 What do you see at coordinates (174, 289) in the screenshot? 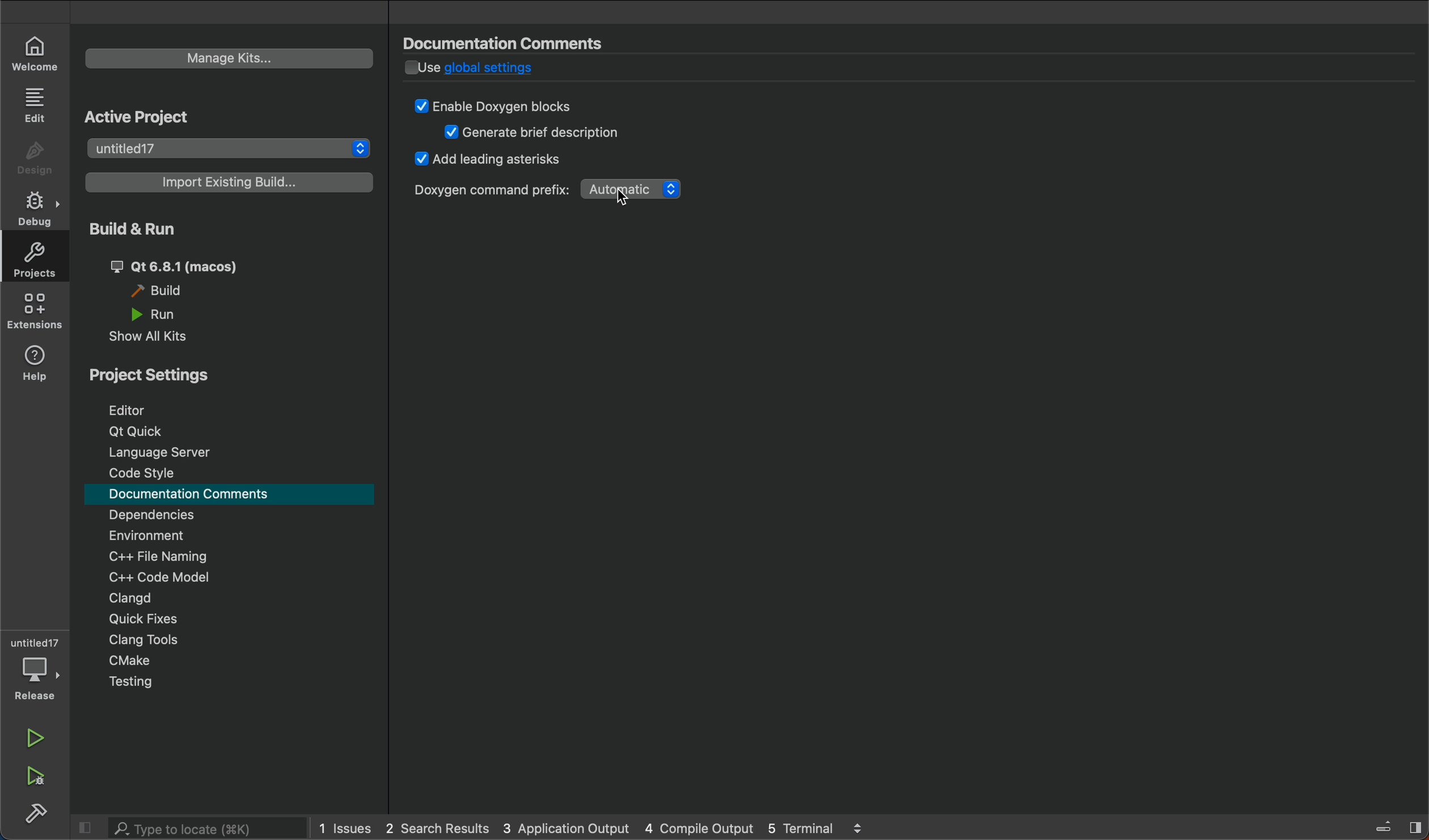
I see `build` at bounding box center [174, 289].